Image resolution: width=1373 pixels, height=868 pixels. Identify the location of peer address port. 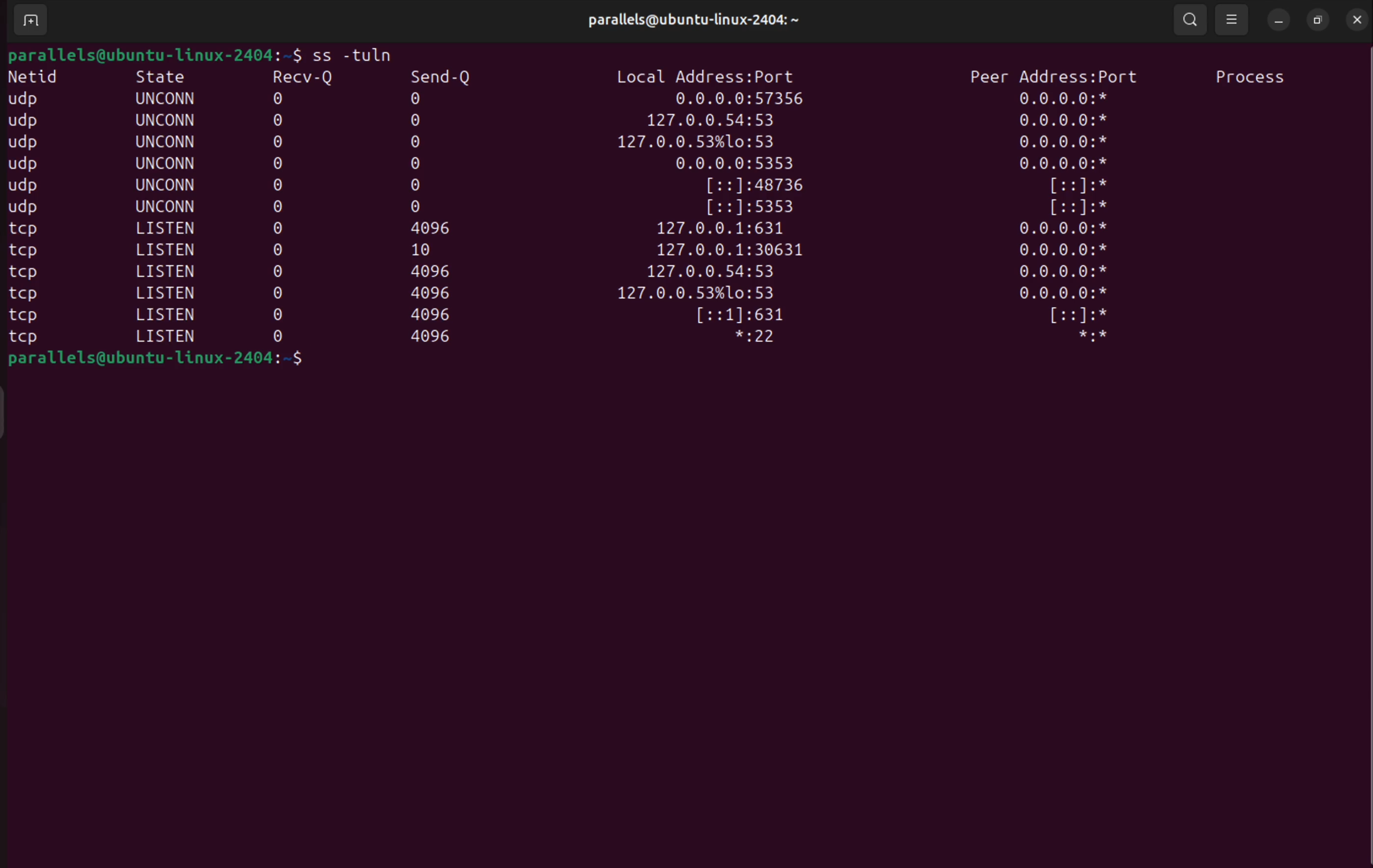
(1053, 74).